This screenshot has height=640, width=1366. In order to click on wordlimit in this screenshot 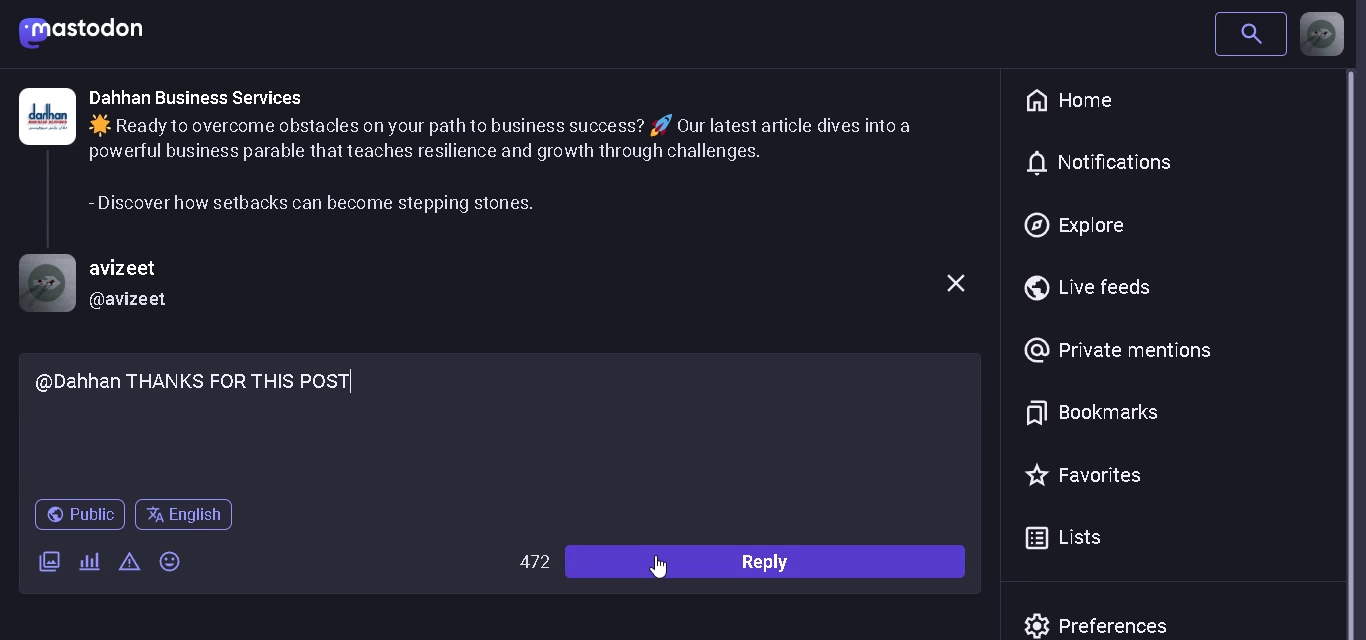, I will do `click(534, 564)`.